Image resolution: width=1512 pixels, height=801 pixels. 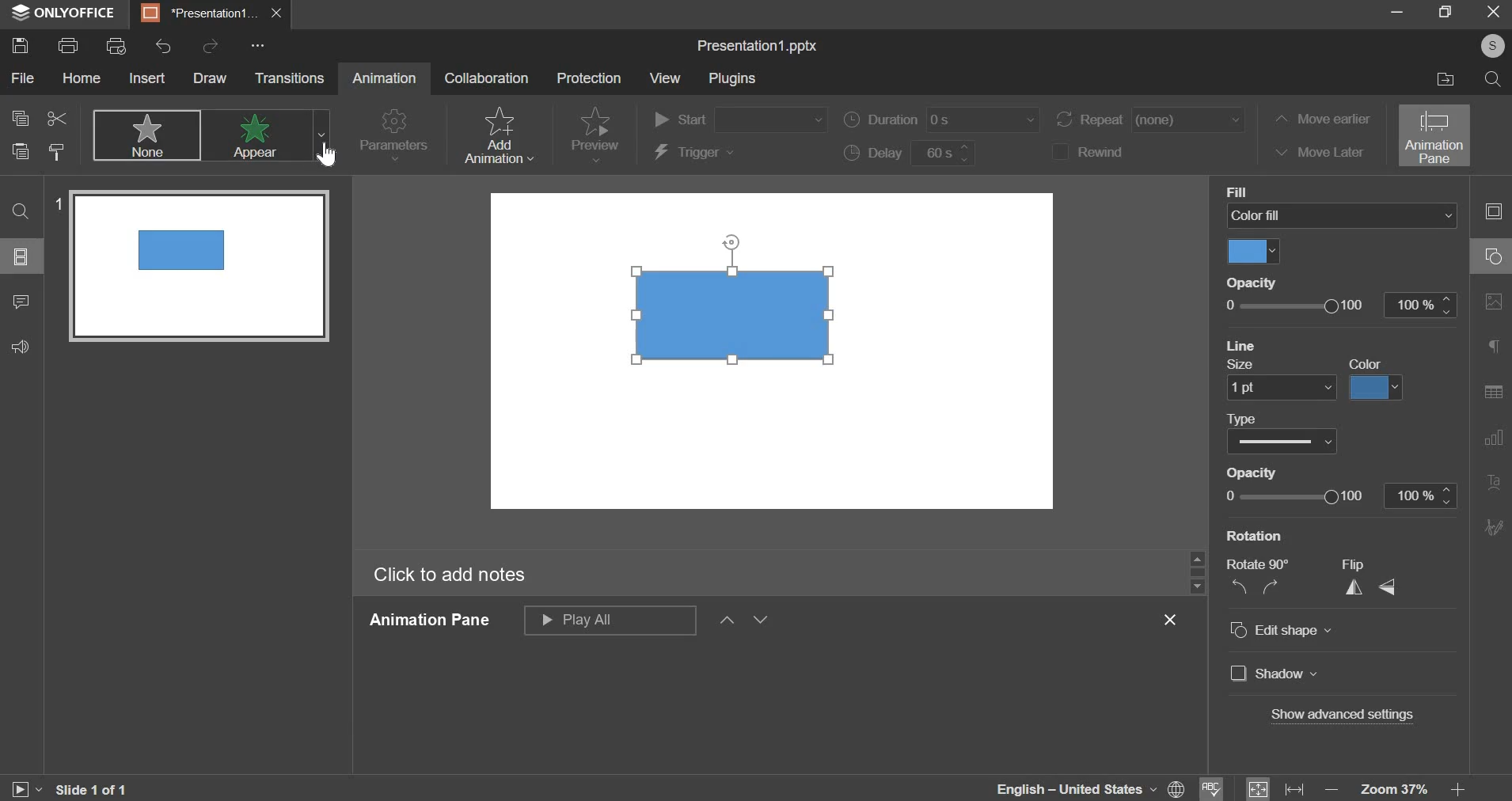 I want to click on Cursor, so click(x=324, y=156).